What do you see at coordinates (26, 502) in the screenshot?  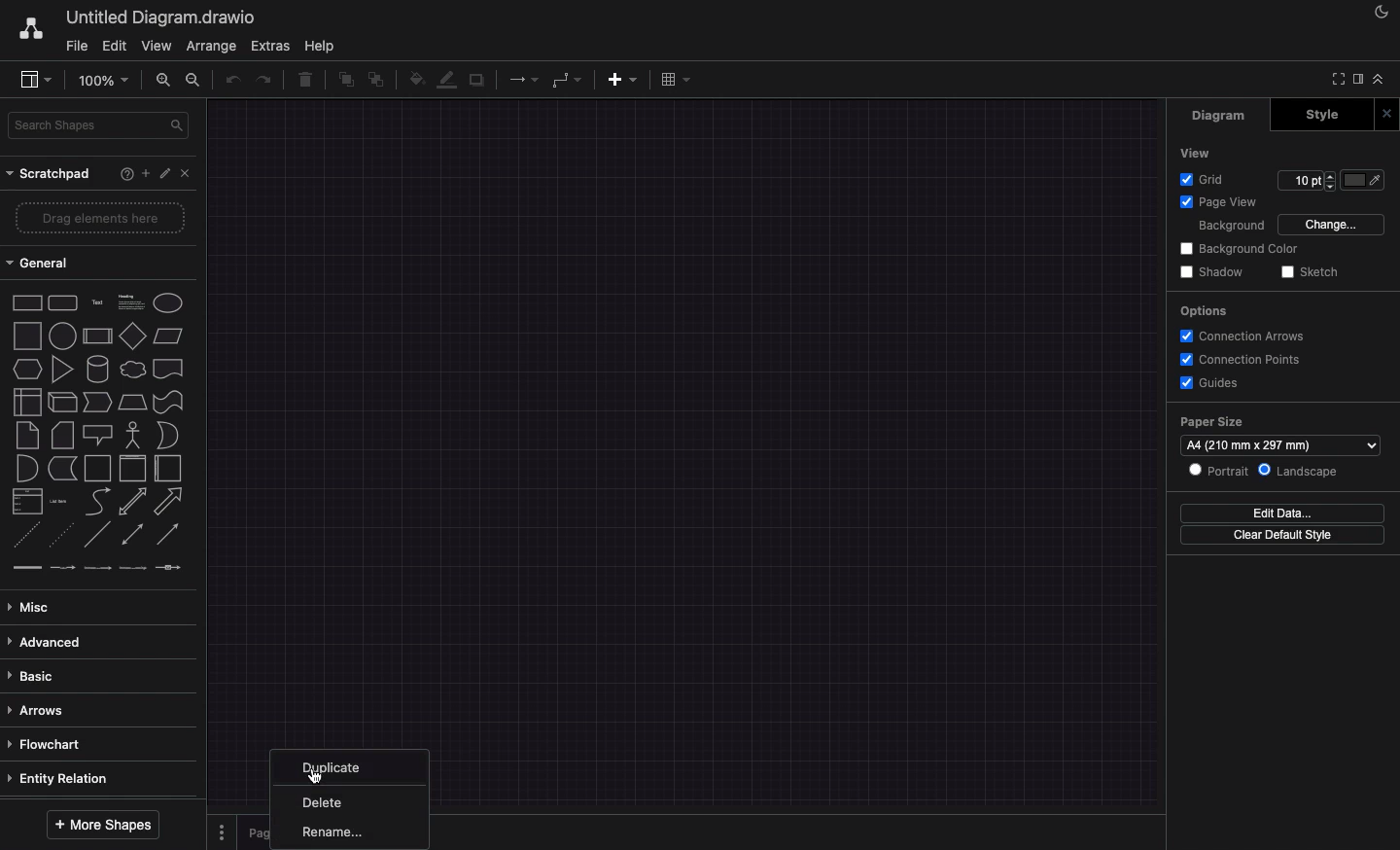 I see `list` at bounding box center [26, 502].